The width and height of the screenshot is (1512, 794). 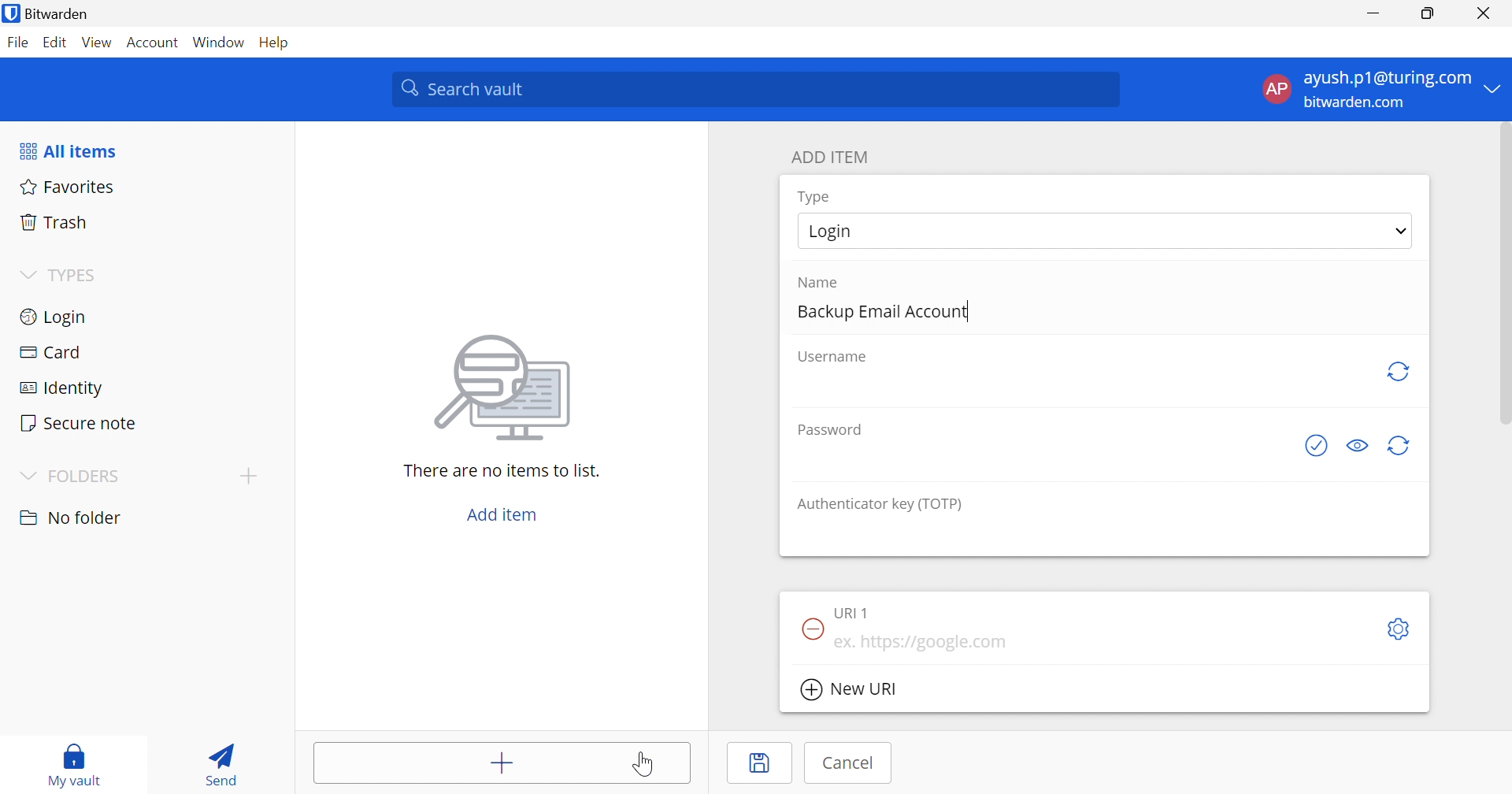 I want to click on Login, so click(x=56, y=317).